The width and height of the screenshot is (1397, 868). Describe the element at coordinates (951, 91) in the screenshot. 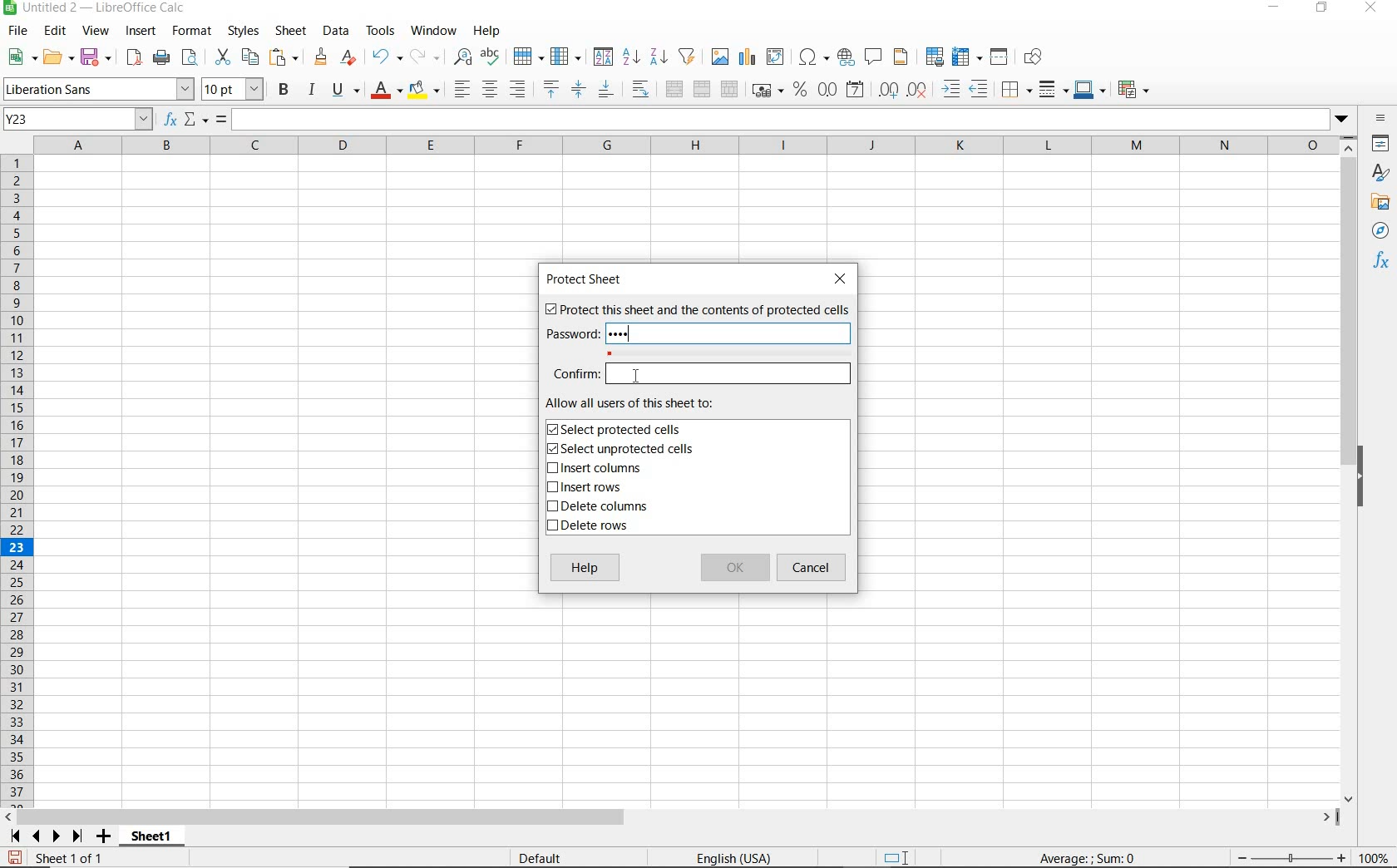

I see `INCREASE INDENT` at that location.